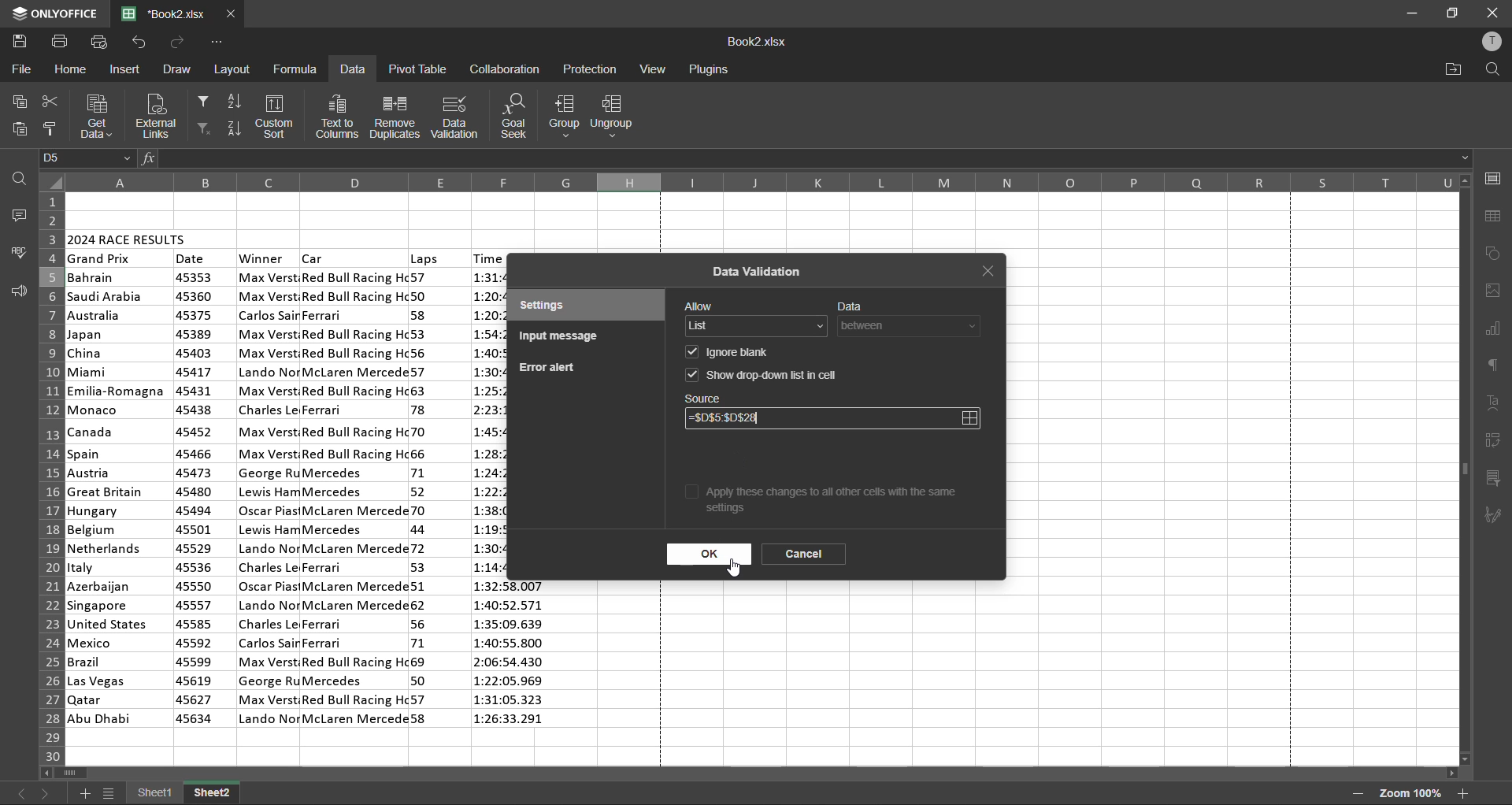  What do you see at coordinates (395, 115) in the screenshot?
I see `remove duplicates` at bounding box center [395, 115].